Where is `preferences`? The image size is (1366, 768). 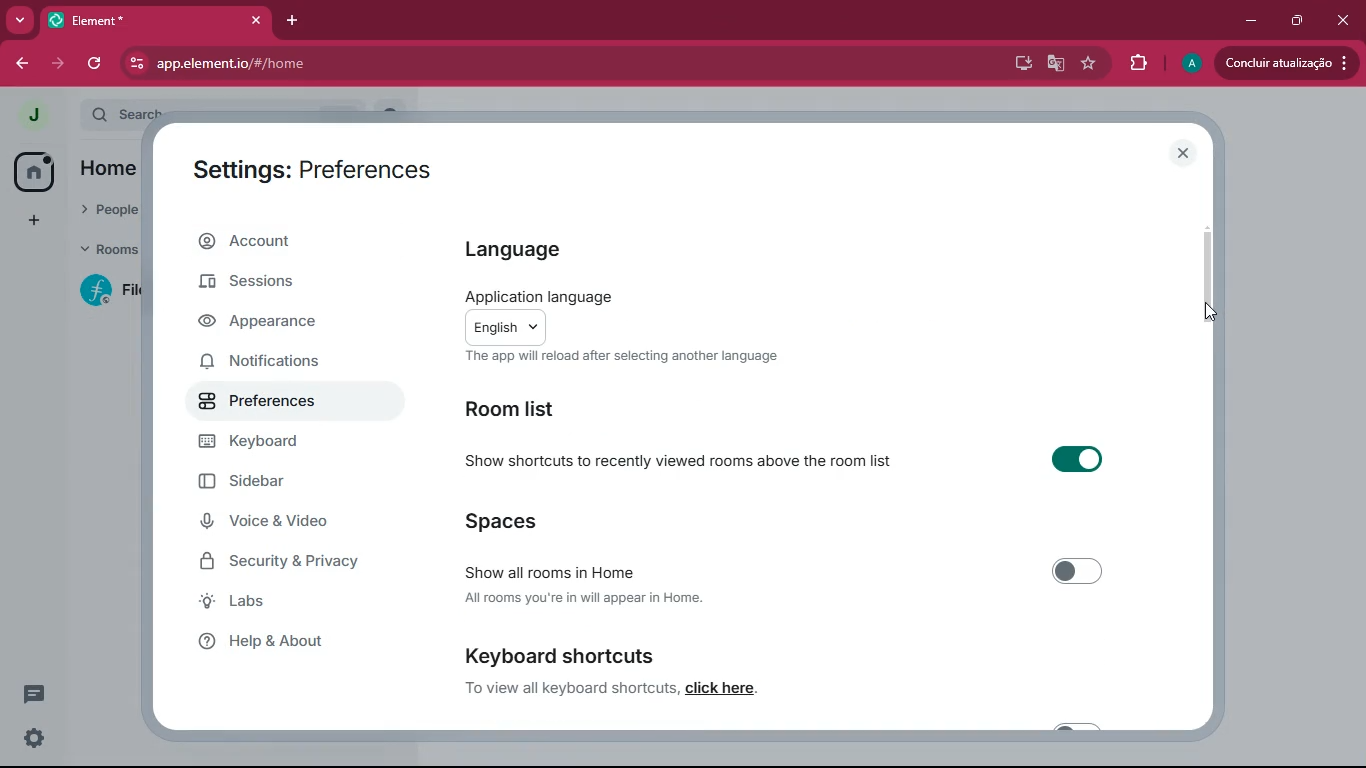 preferences is located at coordinates (286, 402).